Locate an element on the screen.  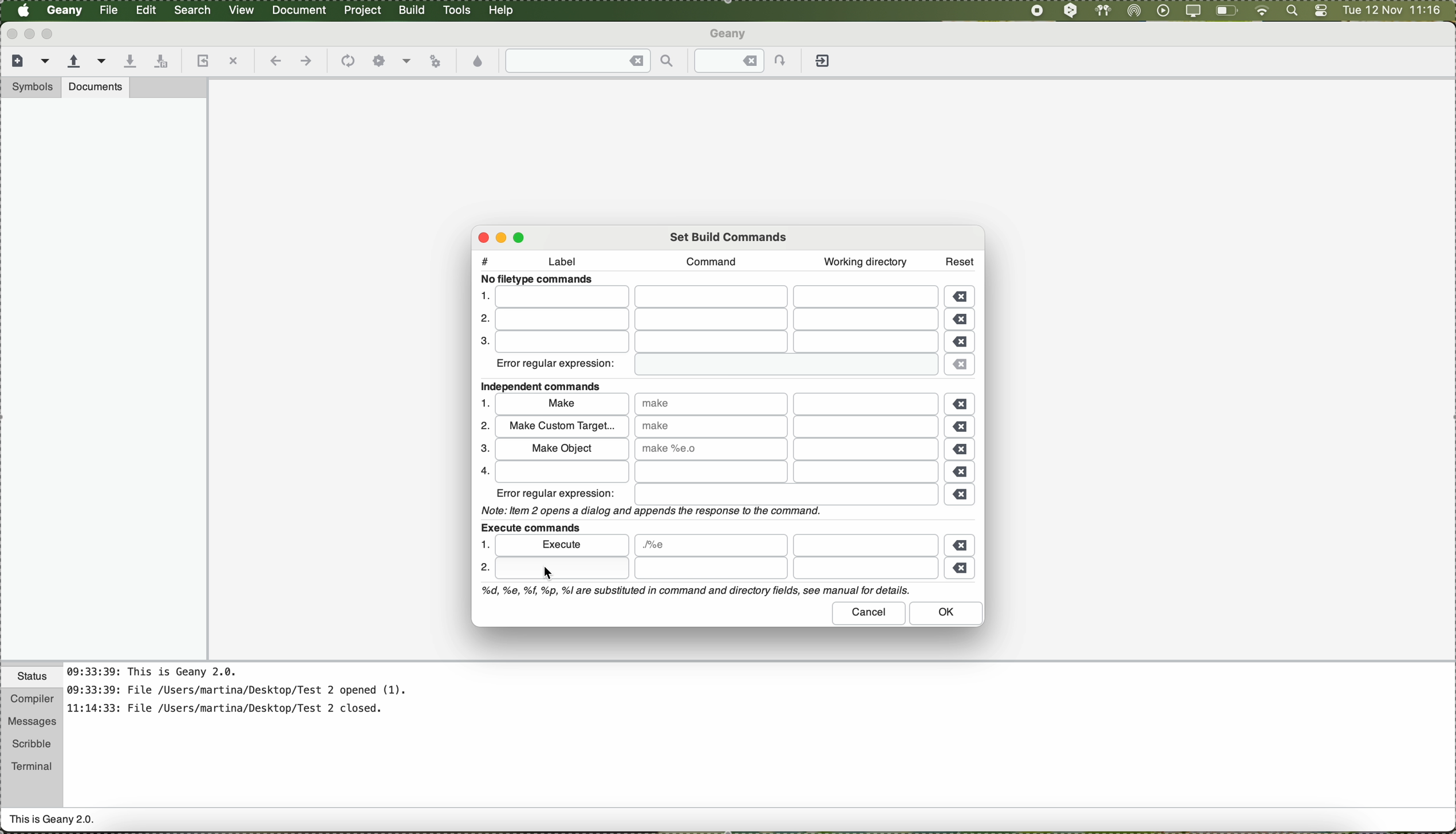
wifi is located at coordinates (1262, 11).